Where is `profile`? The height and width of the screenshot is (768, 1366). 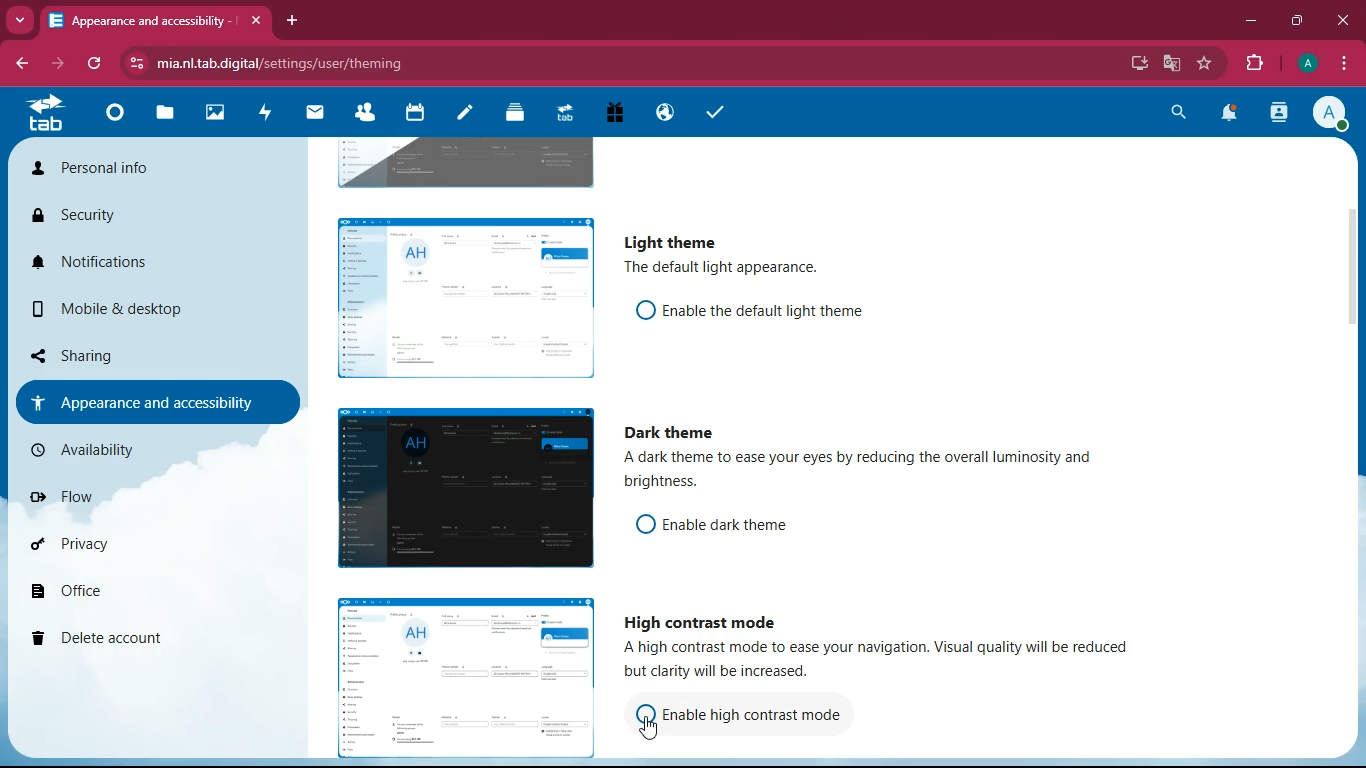 profile is located at coordinates (1310, 64).